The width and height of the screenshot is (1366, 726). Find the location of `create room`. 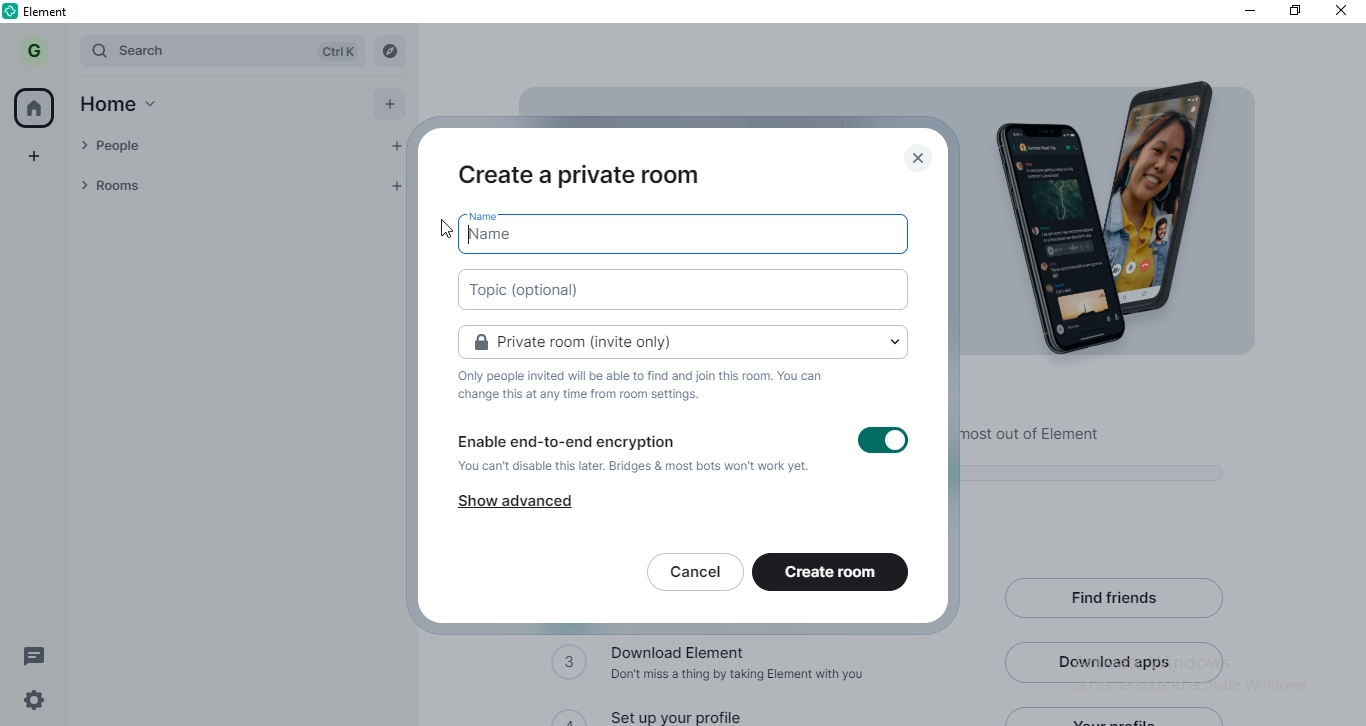

create room is located at coordinates (834, 572).